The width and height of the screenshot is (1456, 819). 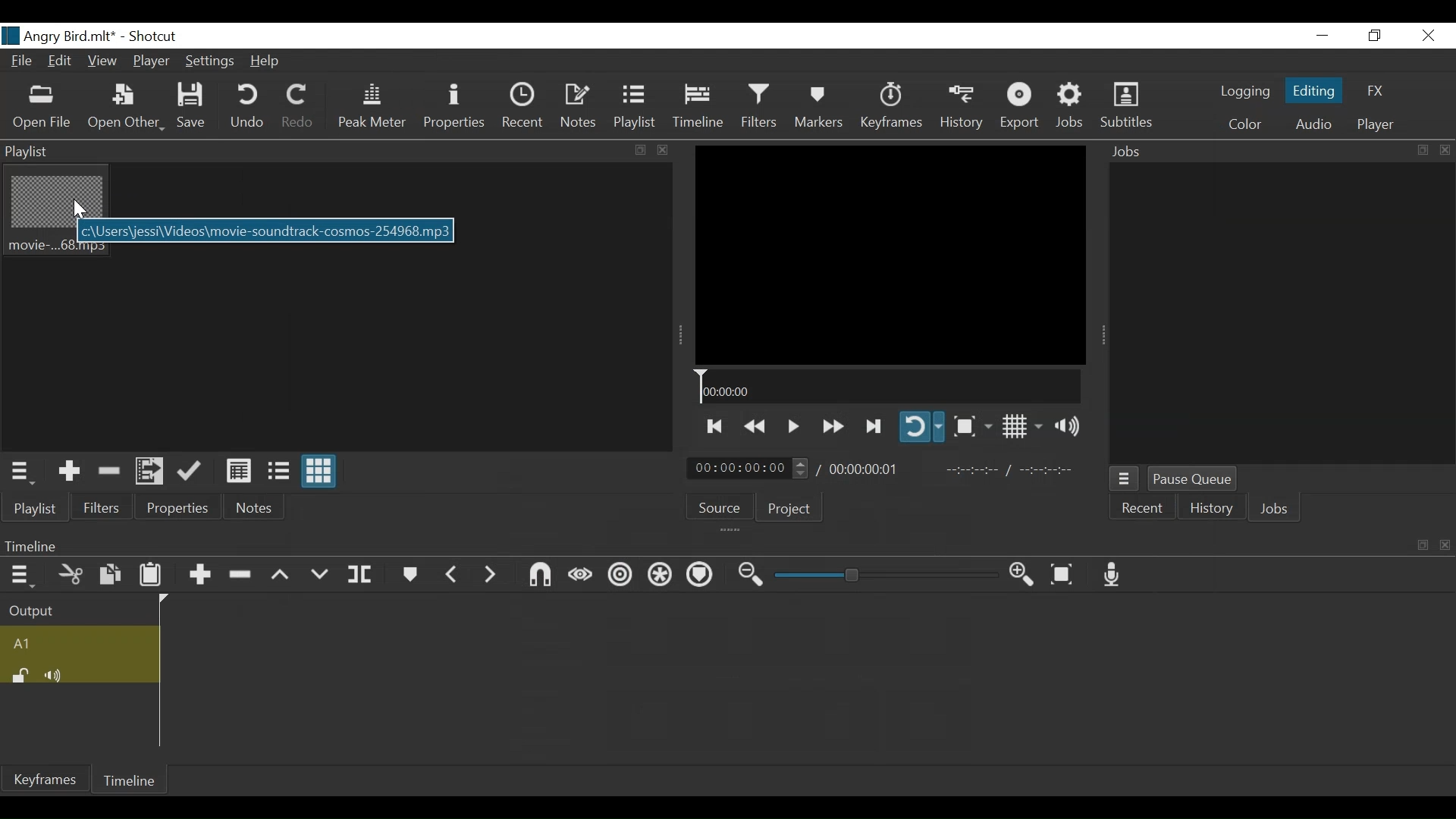 I want to click on Redo, so click(x=293, y=107).